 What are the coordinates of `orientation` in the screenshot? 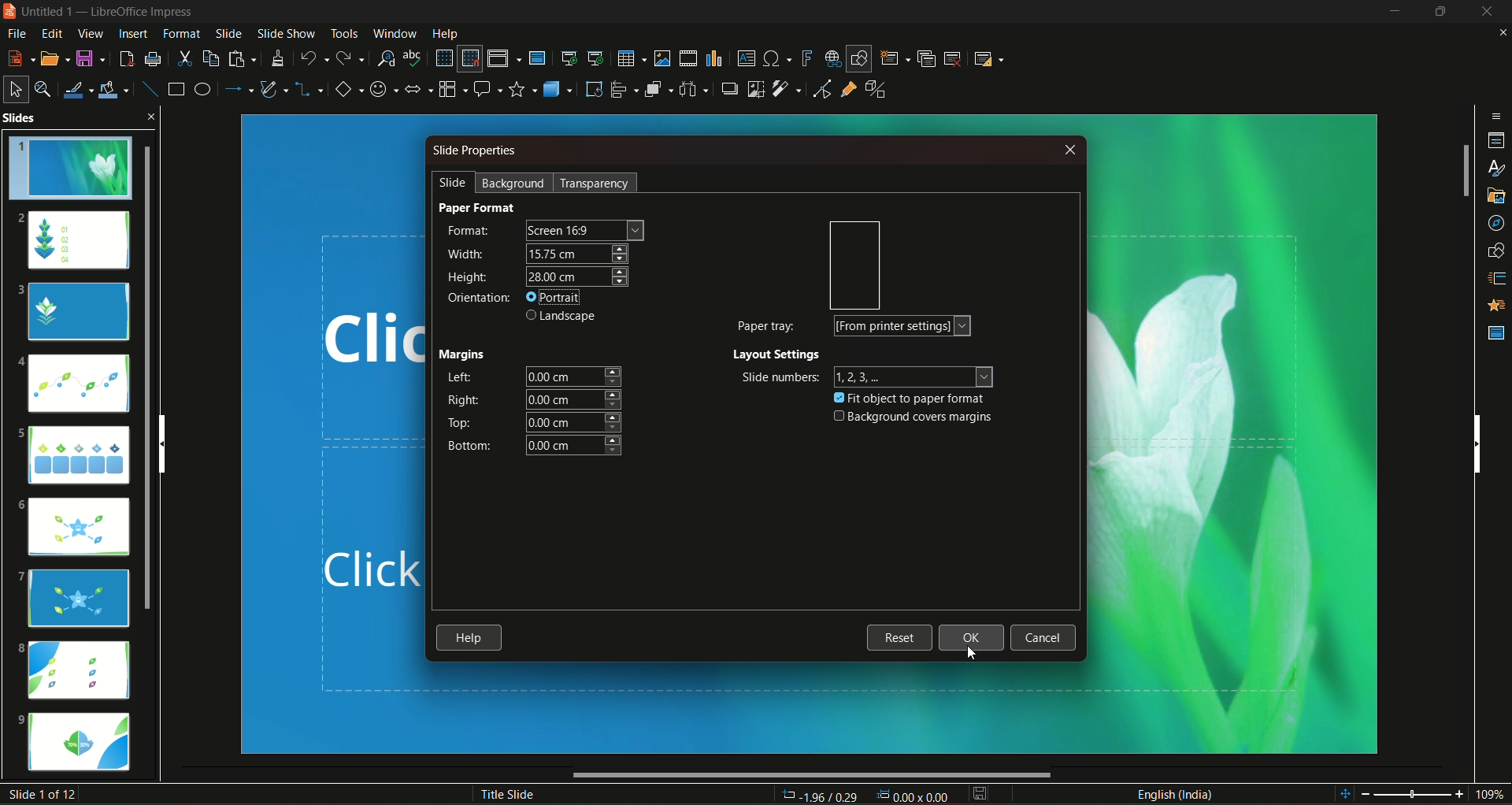 It's located at (477, 298).